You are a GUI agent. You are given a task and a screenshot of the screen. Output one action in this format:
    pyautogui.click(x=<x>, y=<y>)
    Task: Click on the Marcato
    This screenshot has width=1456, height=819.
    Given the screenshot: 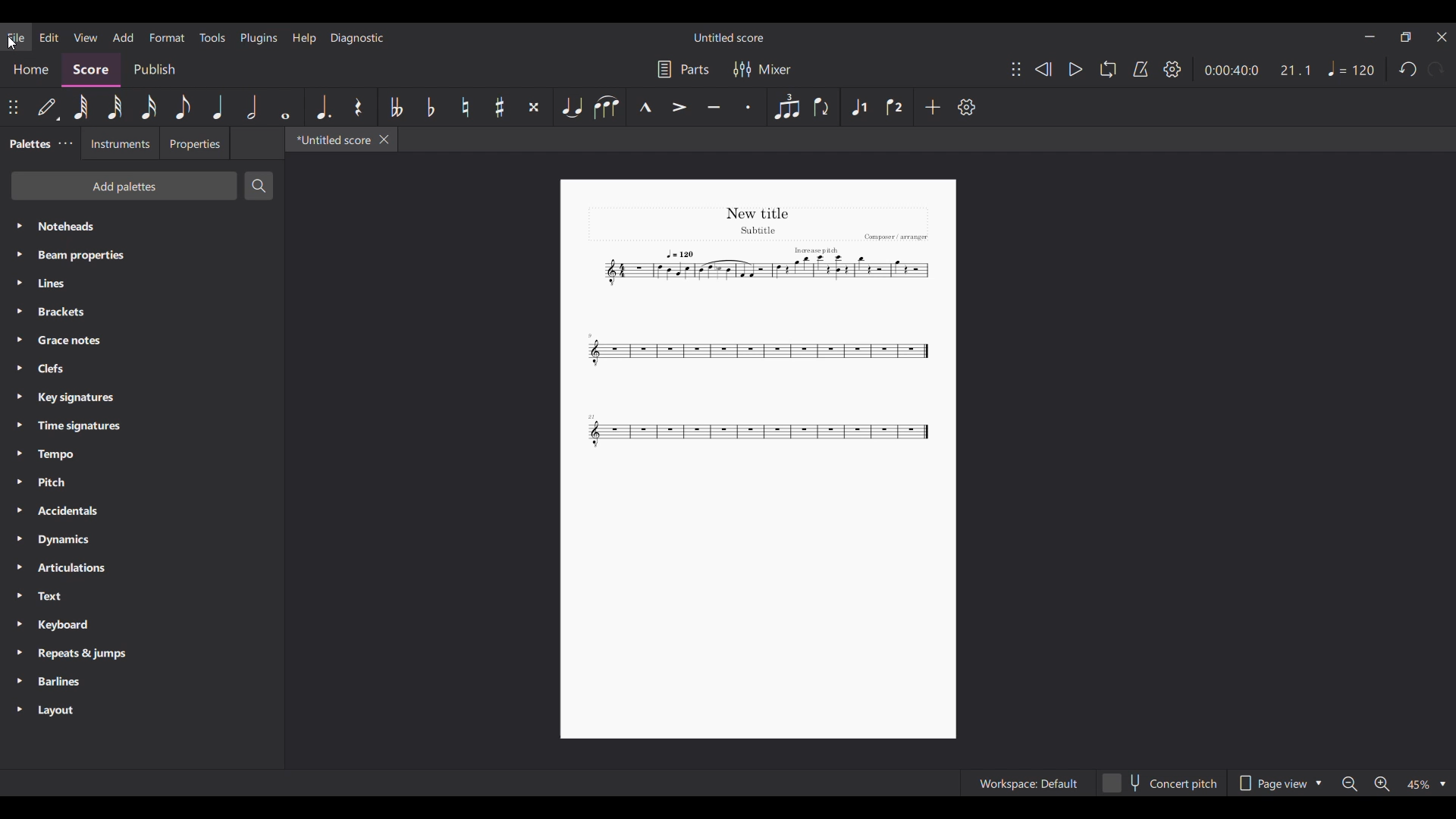 What is the action you would take?
    pyautogui.click(x=645, y=107)
    